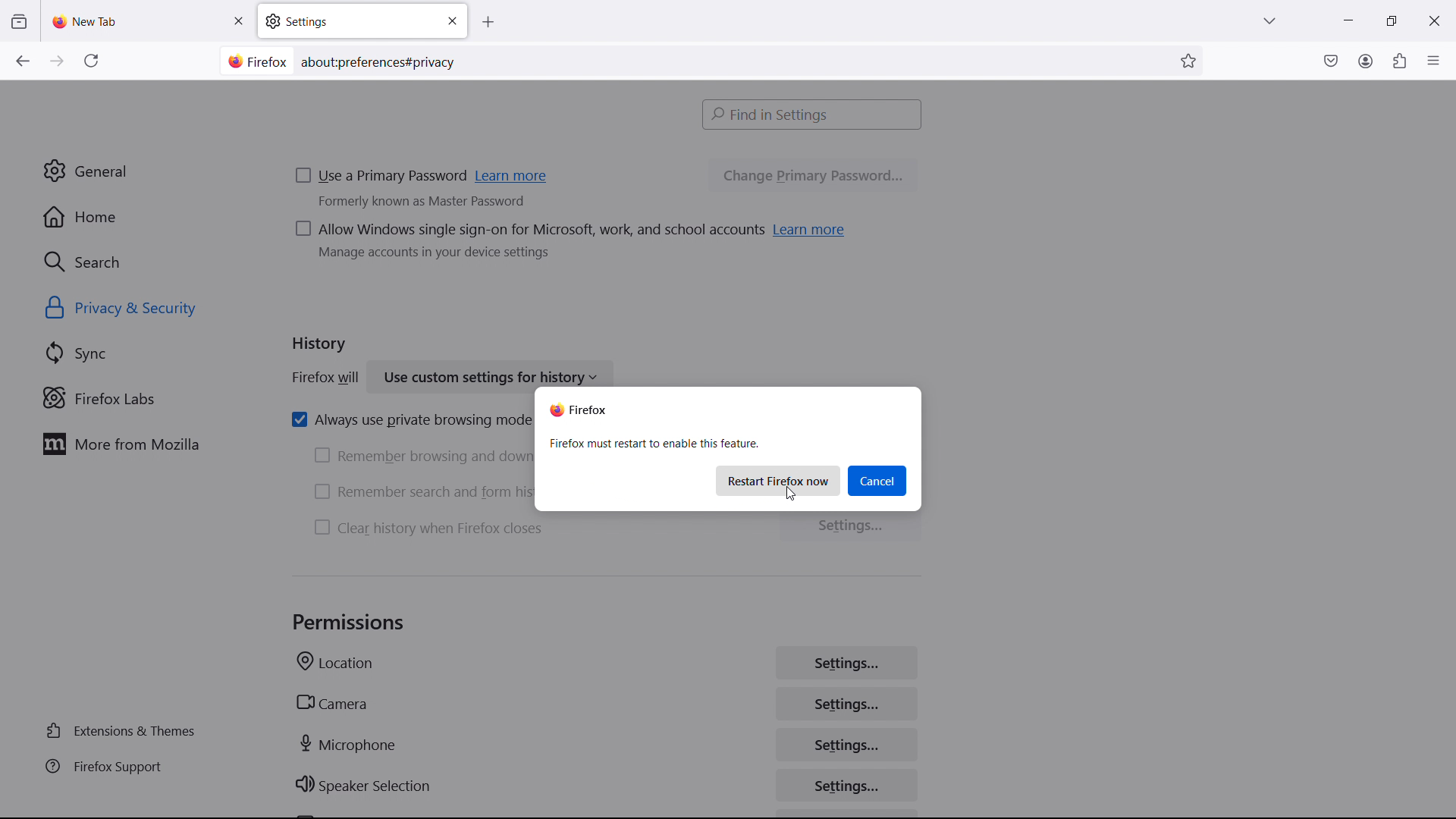  I want to click on settings to clear history, so click(851, 527).